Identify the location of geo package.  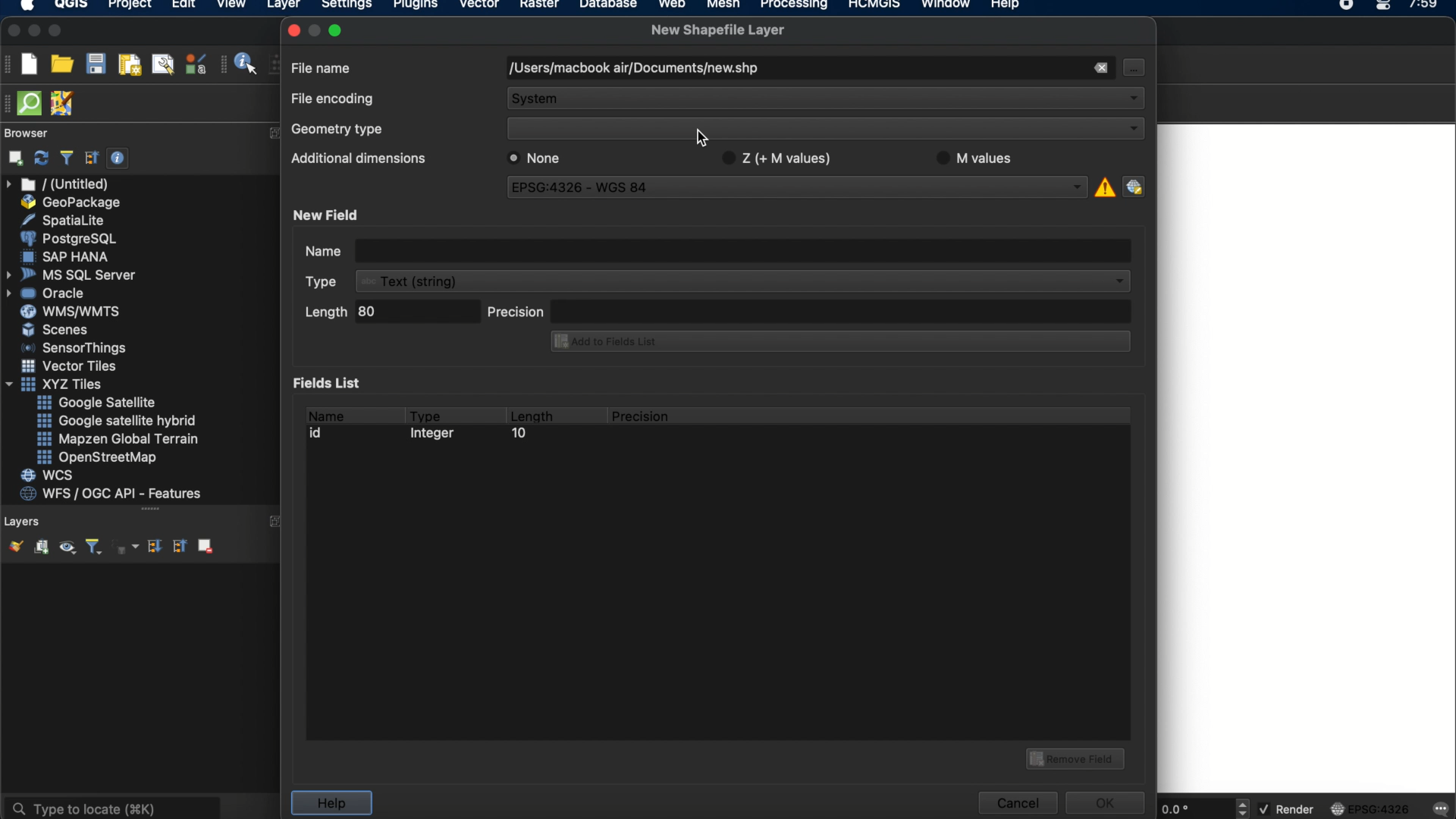
(69, 202).